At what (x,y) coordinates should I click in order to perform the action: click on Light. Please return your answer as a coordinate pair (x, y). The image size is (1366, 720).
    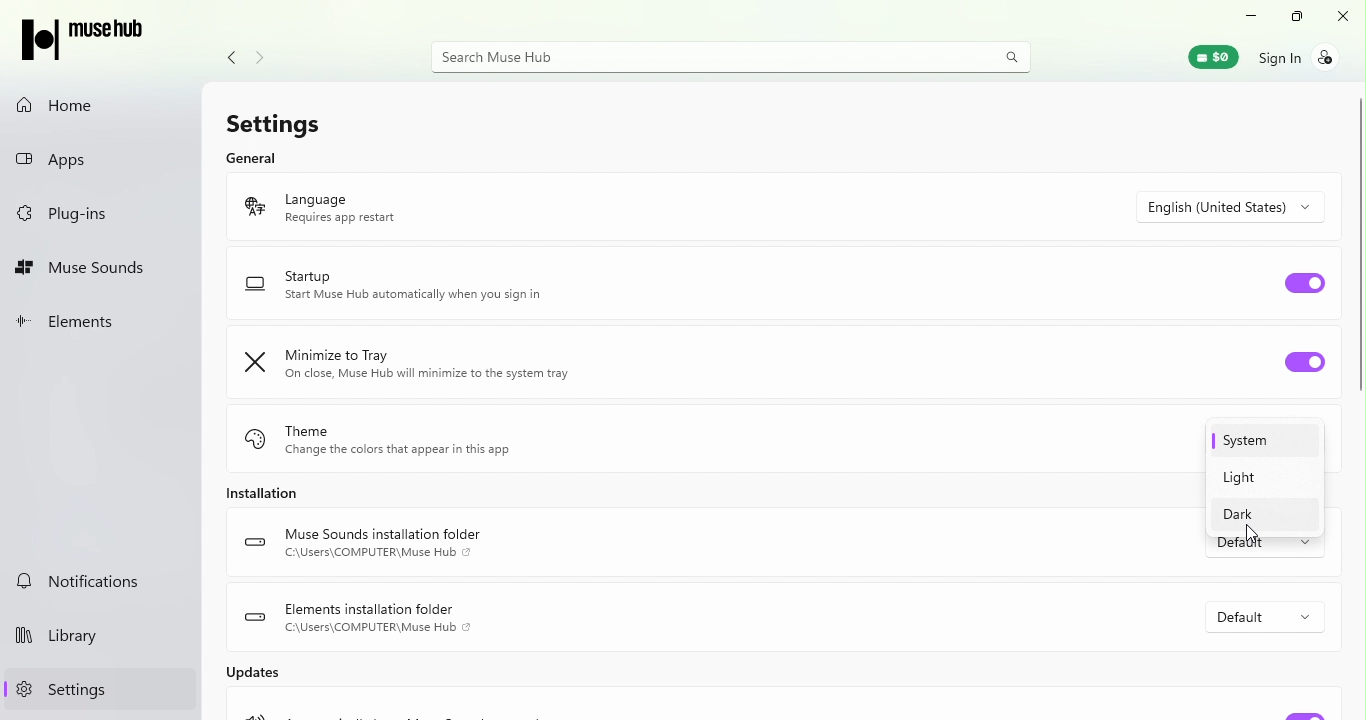
    Looking at the image, I should click on (1261, 479).